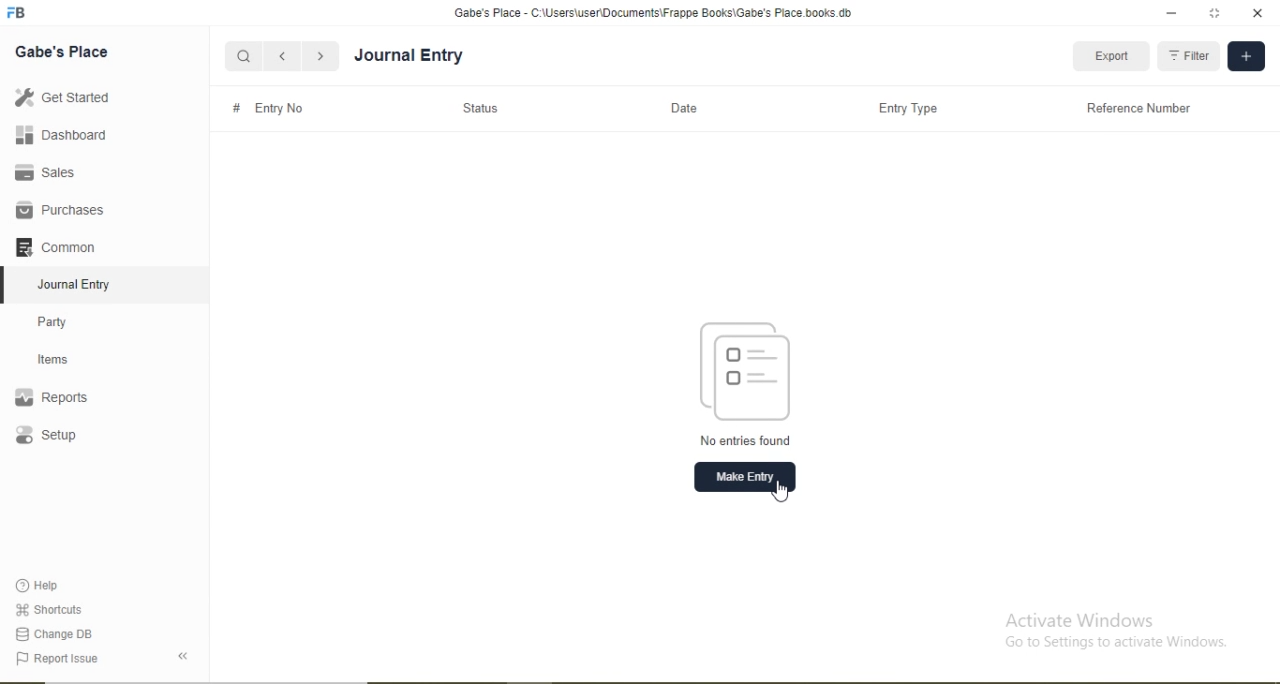  Describe the element at coordinates (54, 172) in the screenshot. I see `Sales` at that location.